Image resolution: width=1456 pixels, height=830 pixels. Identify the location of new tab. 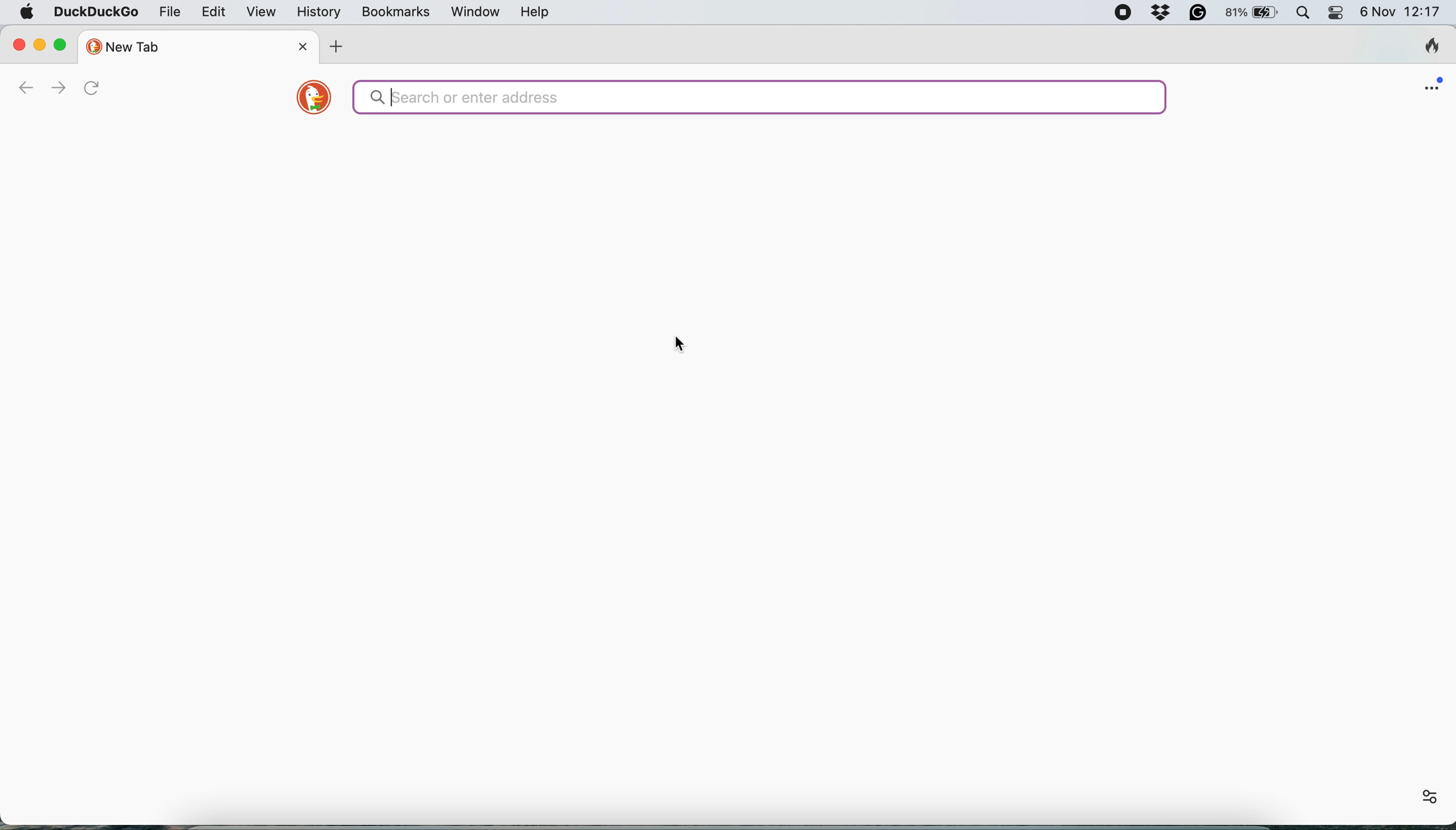
(169, 46).